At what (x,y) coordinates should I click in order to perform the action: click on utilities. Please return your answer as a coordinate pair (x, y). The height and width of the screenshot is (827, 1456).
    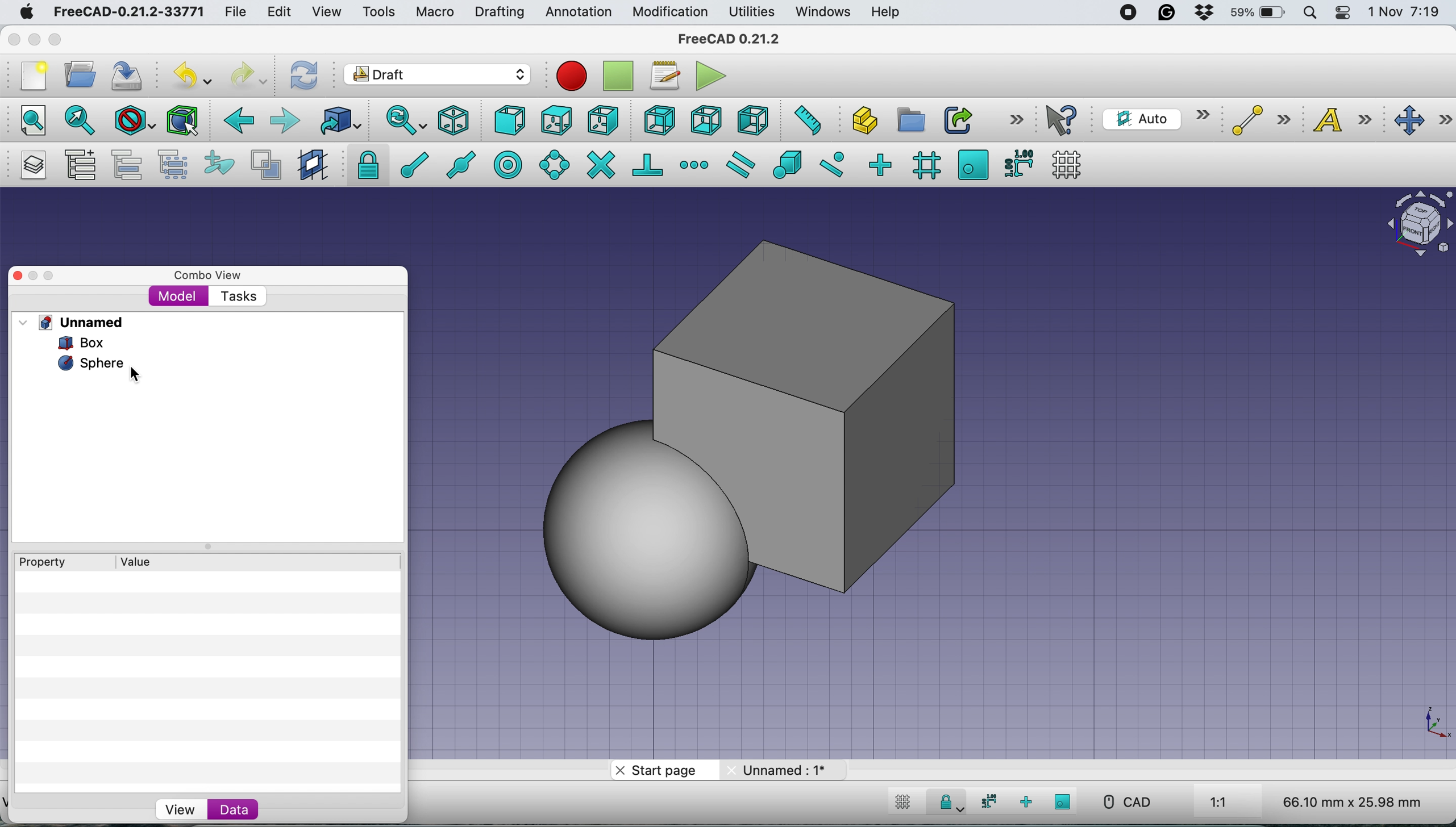
    Looking at the image, I should click on (753, 12).